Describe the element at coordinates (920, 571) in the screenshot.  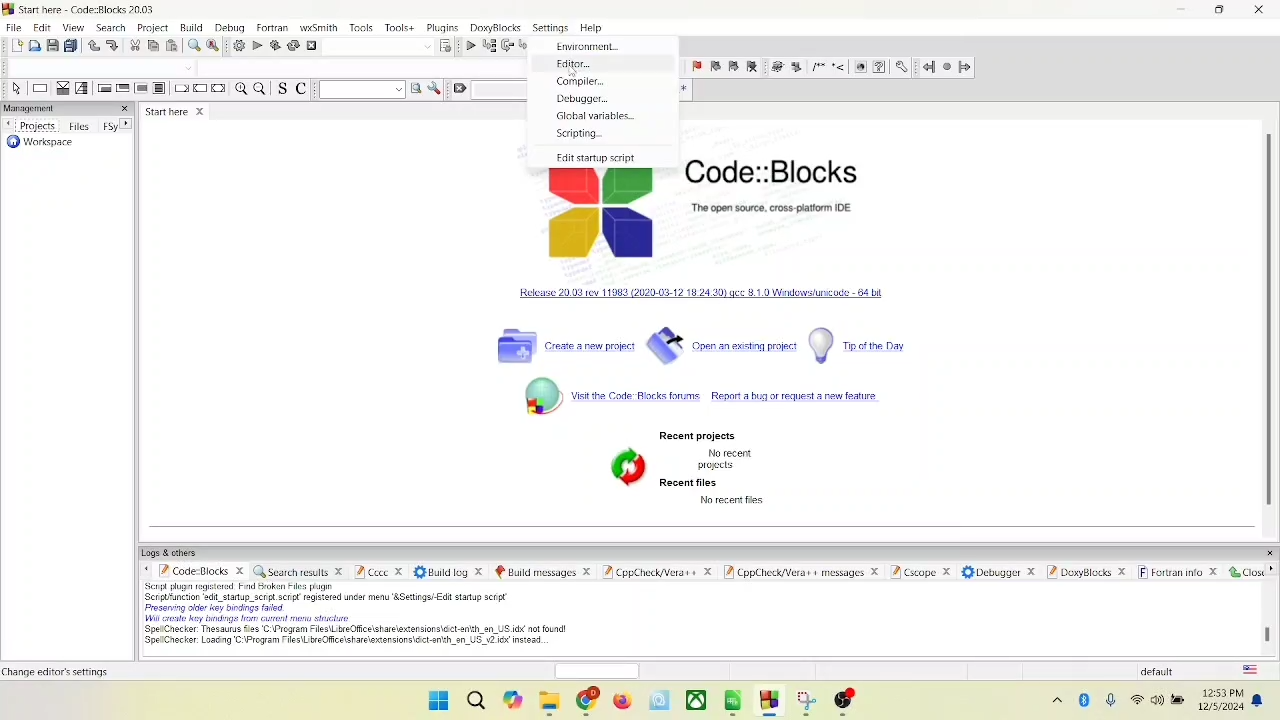
I see `Cscope` at that location.